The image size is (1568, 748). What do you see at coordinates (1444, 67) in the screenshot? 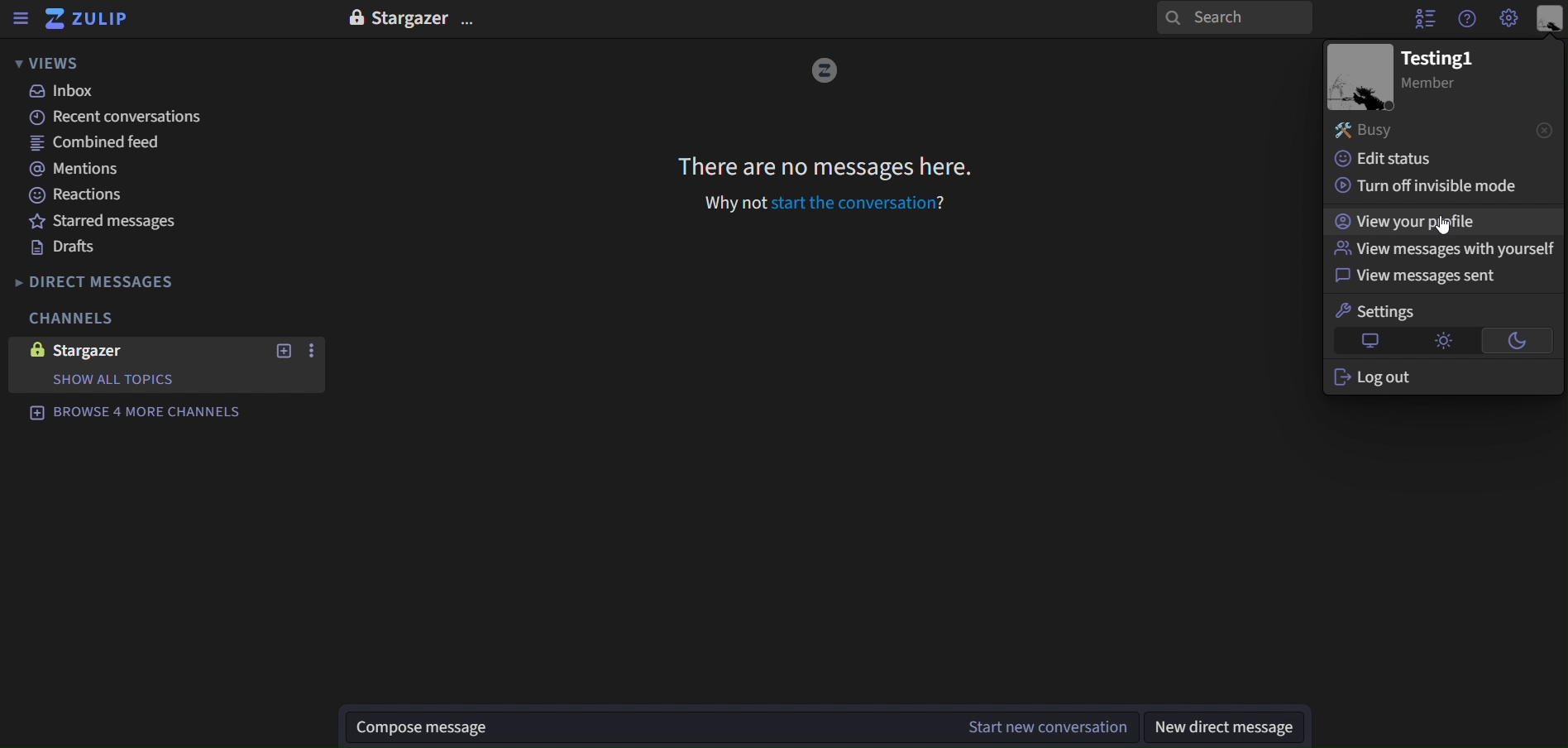
I see `text` at bounding box center [1444, 67].